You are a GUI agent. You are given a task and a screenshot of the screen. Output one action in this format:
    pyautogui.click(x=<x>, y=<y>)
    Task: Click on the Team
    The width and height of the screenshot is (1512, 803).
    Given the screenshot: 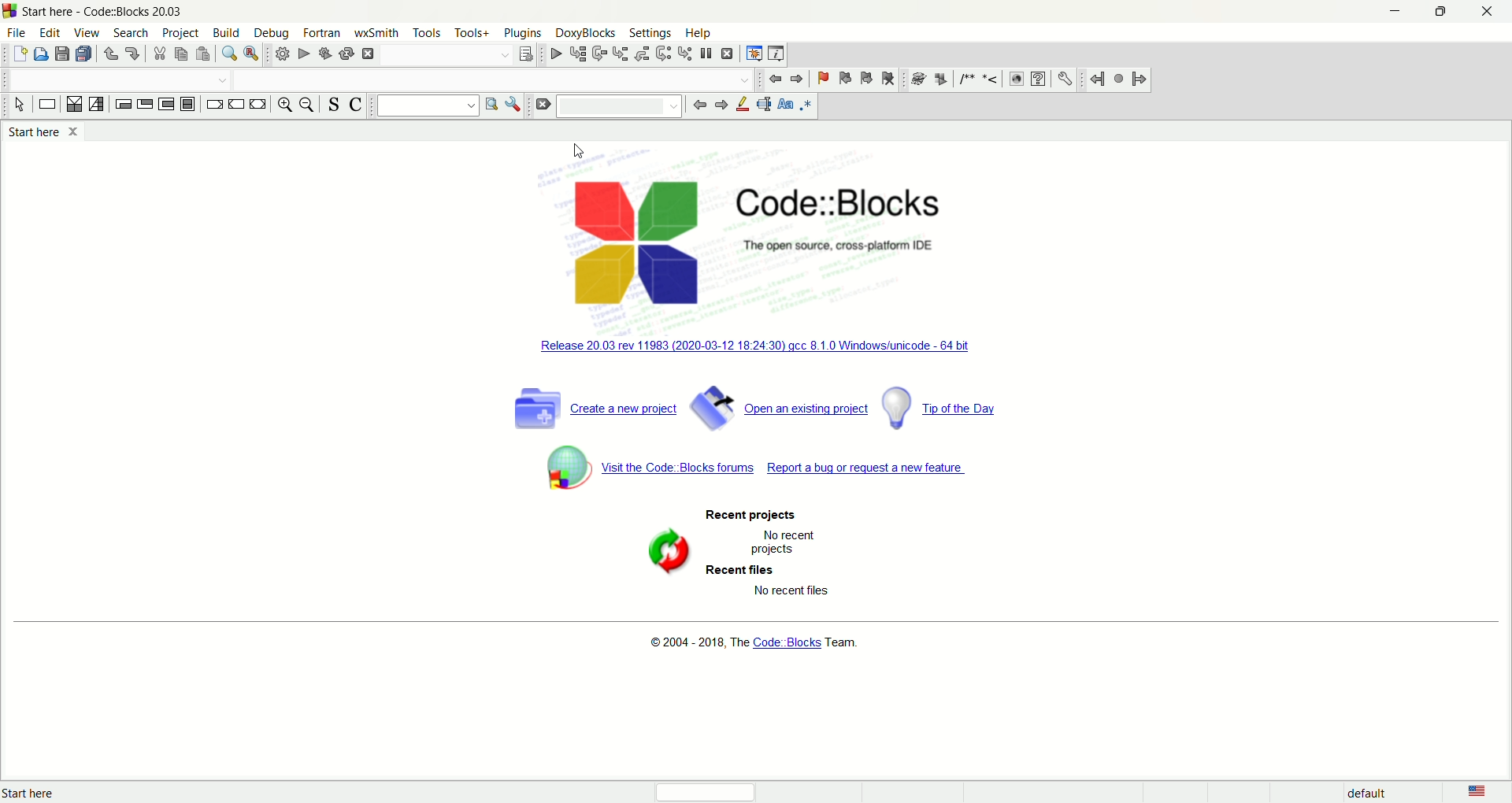 What is the action you would take?
    pyautogui.click(x=842, y=641)
    